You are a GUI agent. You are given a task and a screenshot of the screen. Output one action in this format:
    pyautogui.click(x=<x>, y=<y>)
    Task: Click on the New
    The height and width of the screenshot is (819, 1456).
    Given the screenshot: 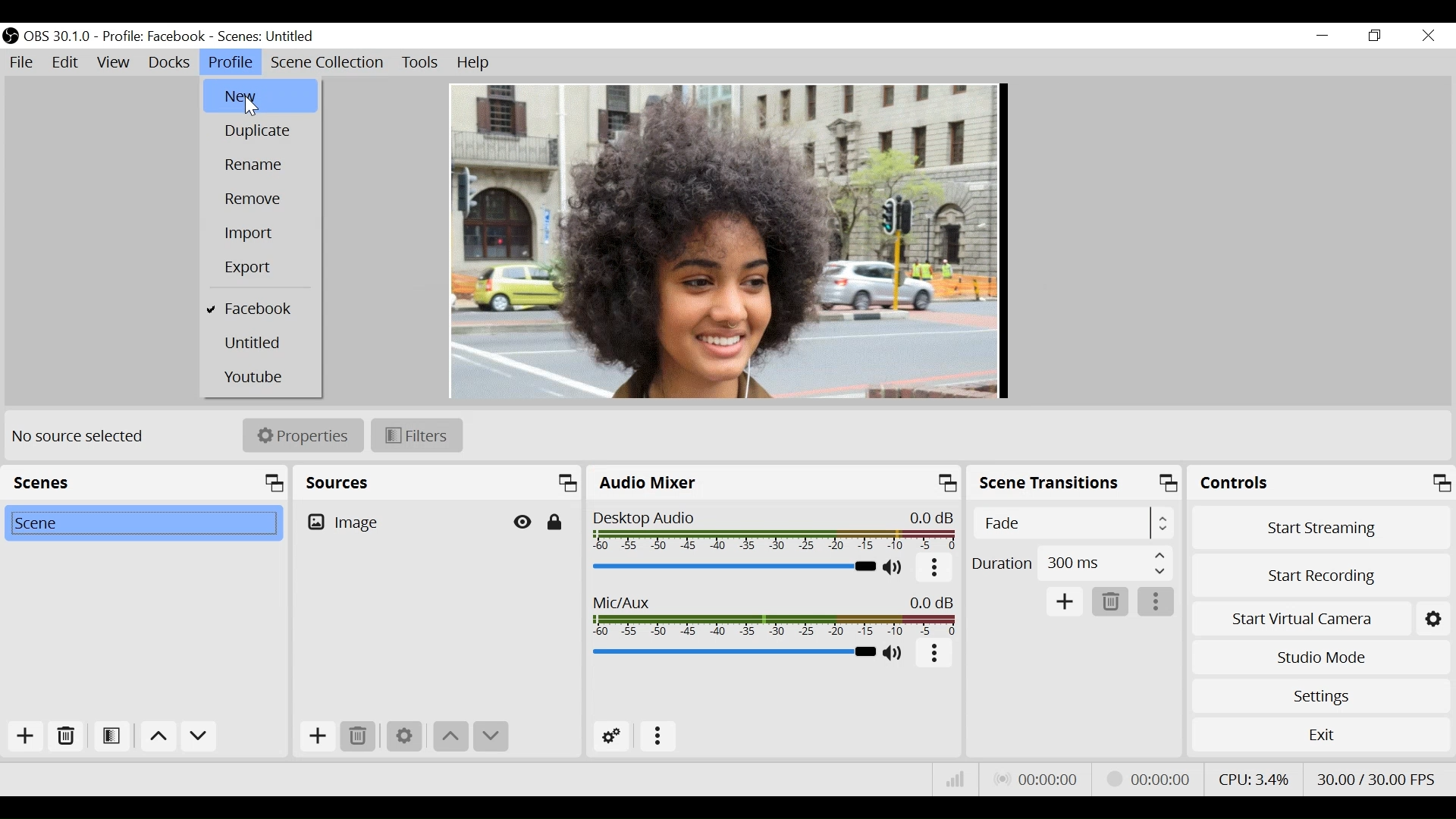 What is the action you would take?
    pyautogui.click(x=260, y=96)
    